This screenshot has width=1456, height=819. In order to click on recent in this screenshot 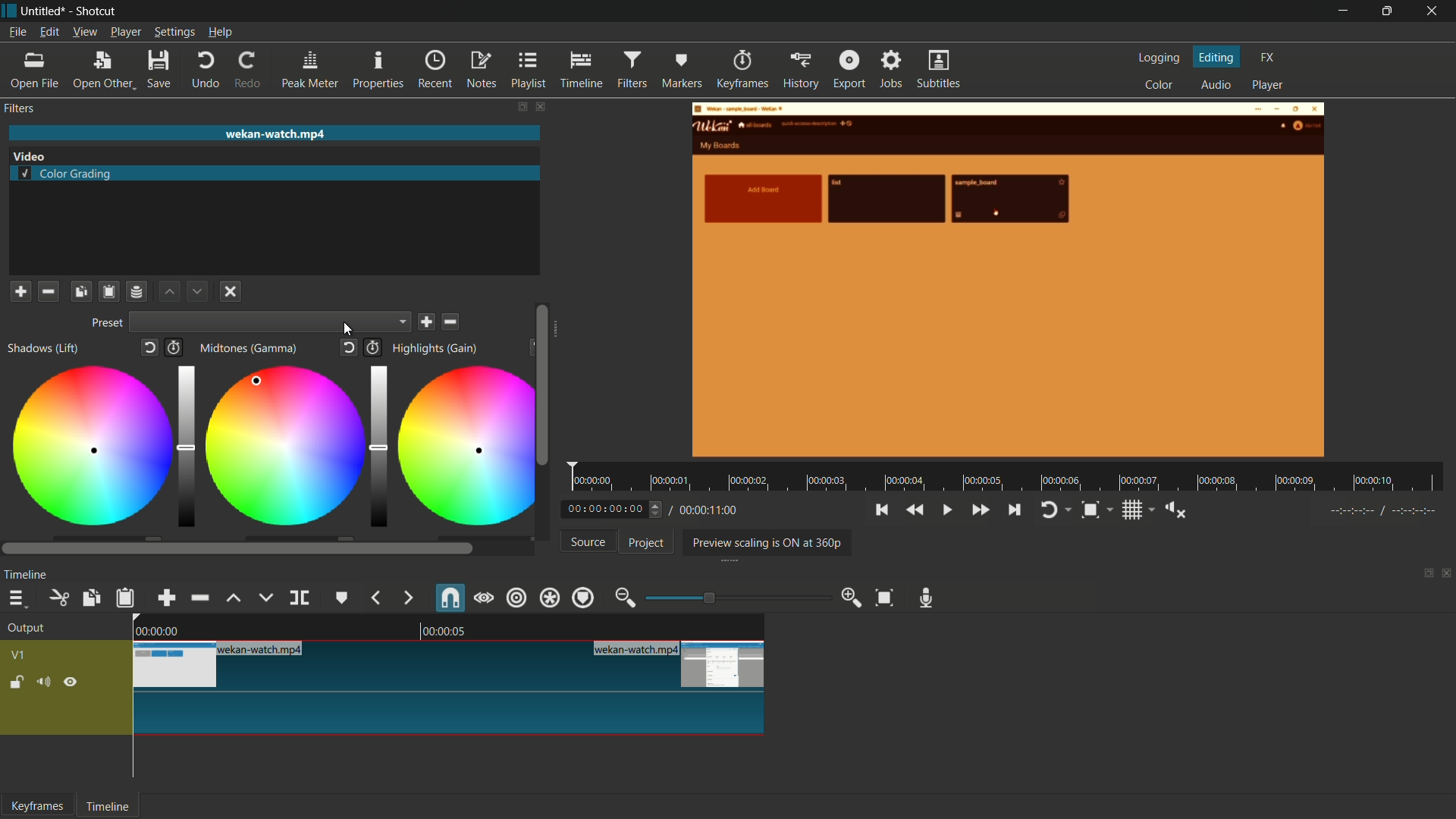, I will do `click(435, 70)`.